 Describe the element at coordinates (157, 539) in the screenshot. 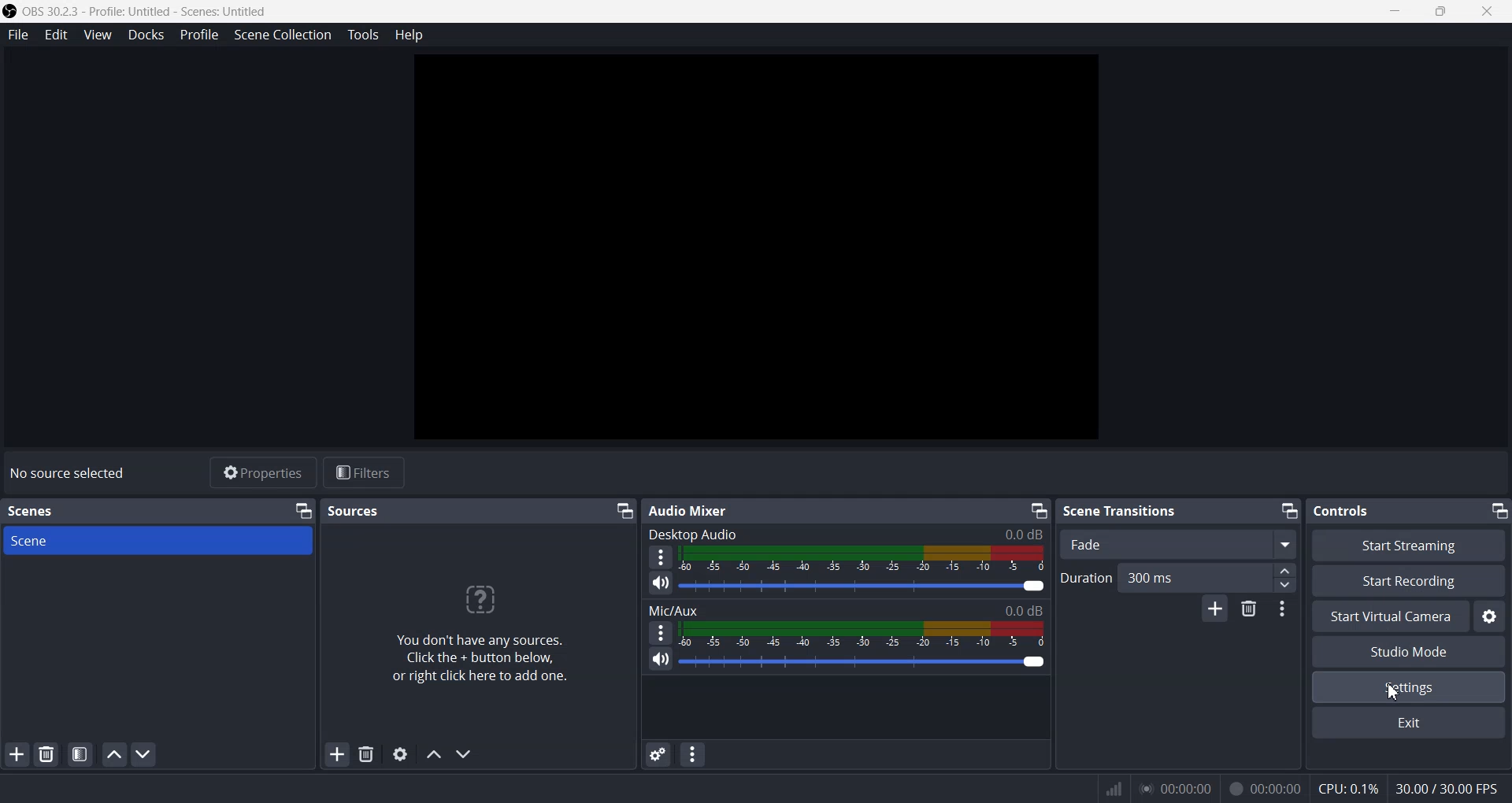

I see `Scene ` at that location.